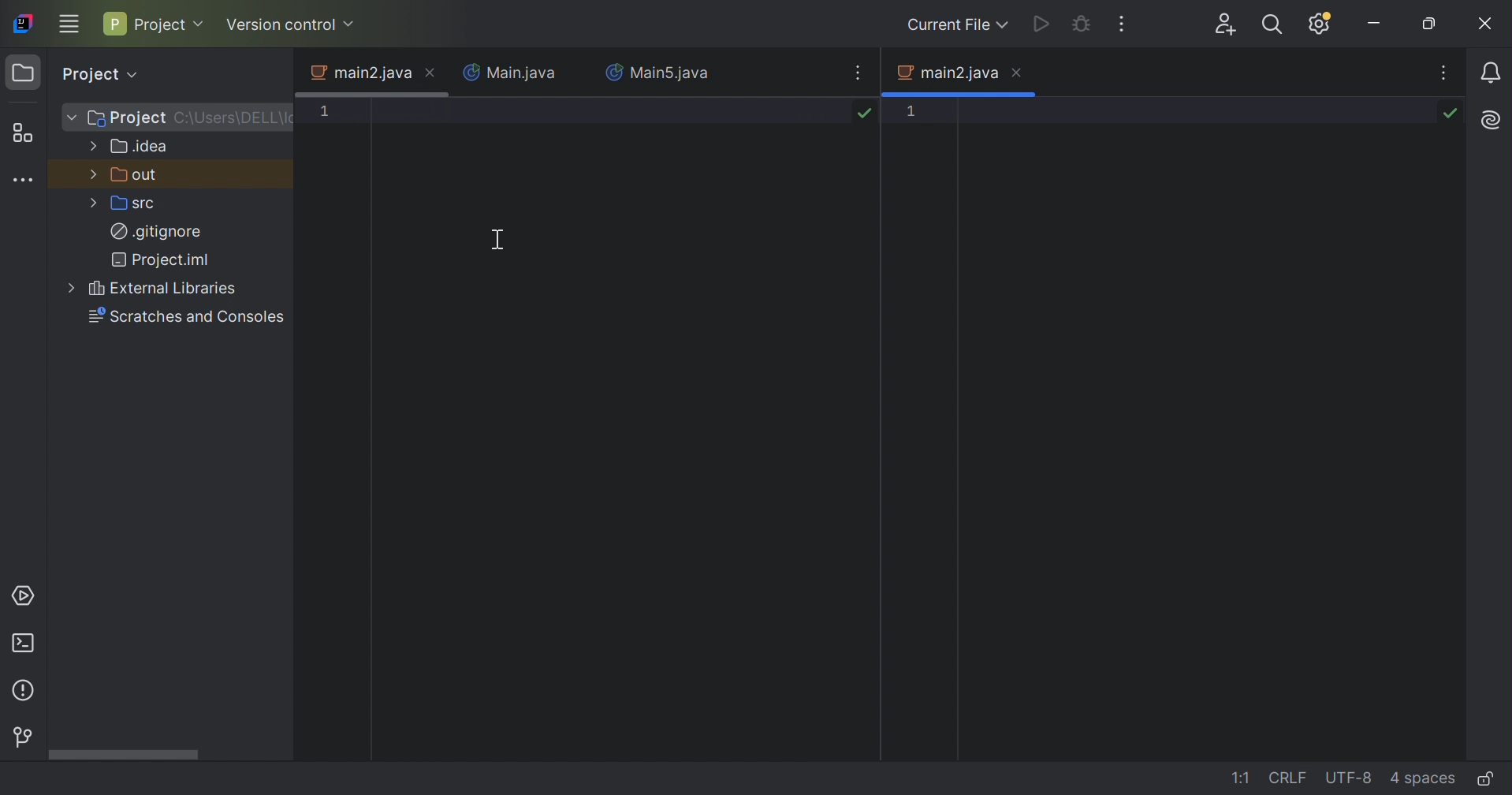 The image size is (1512, 795). What do you see at coordinates (1377, 24) in the screenshot?
I see `Minimize` at bounding box center [1377, 24].